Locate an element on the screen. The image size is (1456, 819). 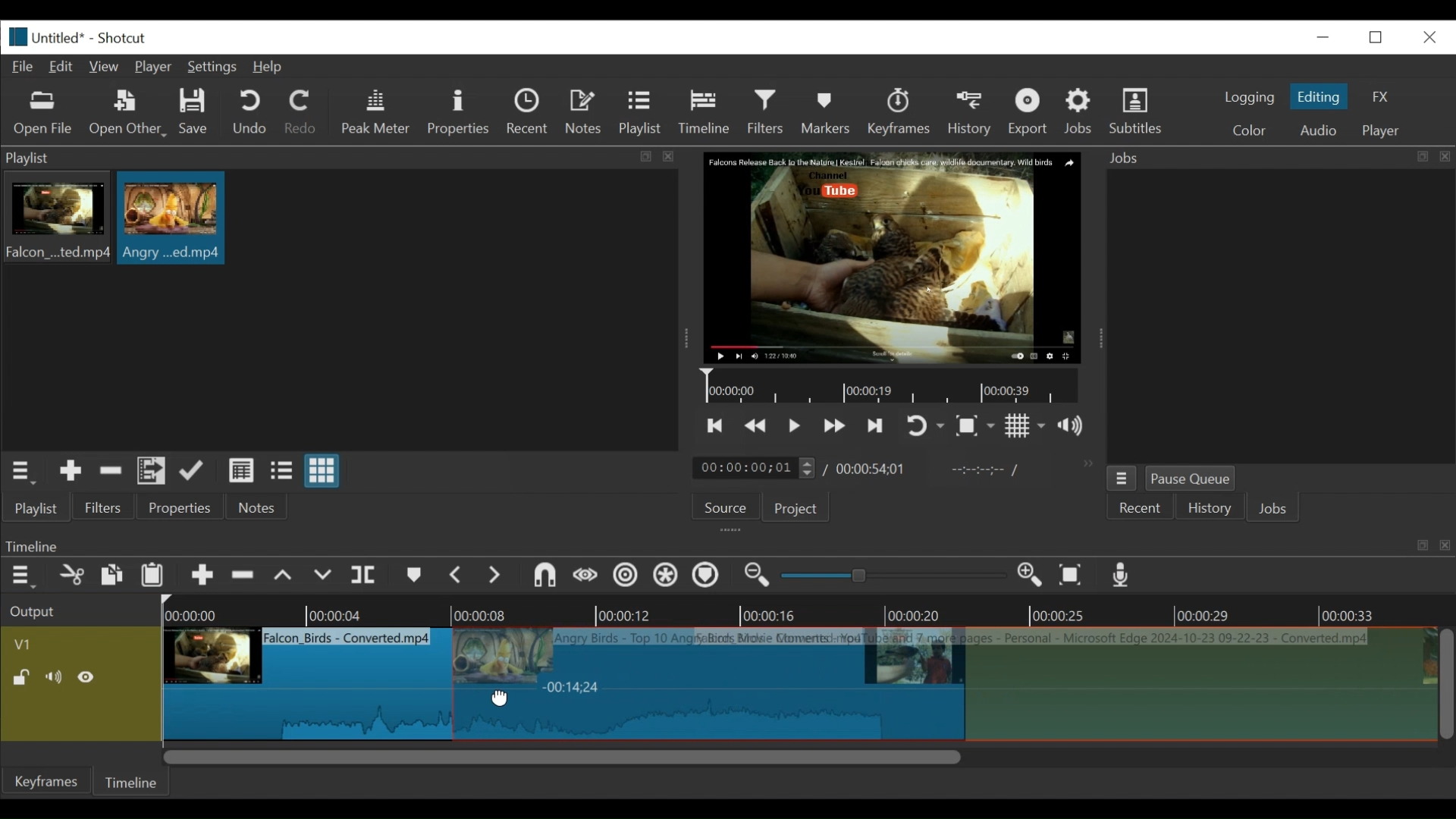
JOBS is located at coordinates (1275, 510).